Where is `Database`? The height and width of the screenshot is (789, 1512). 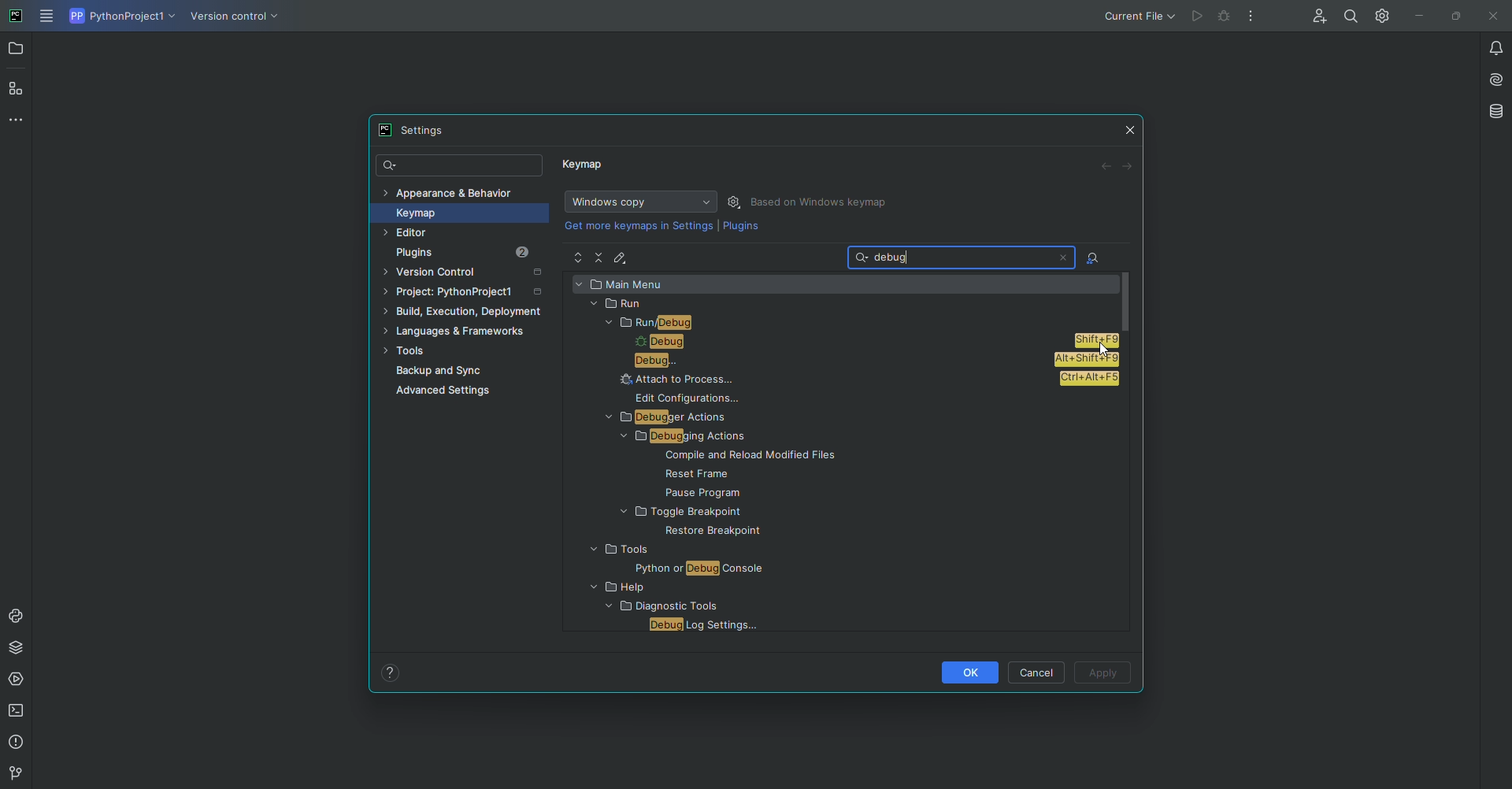 Database is located at coordinates (1495, 111).